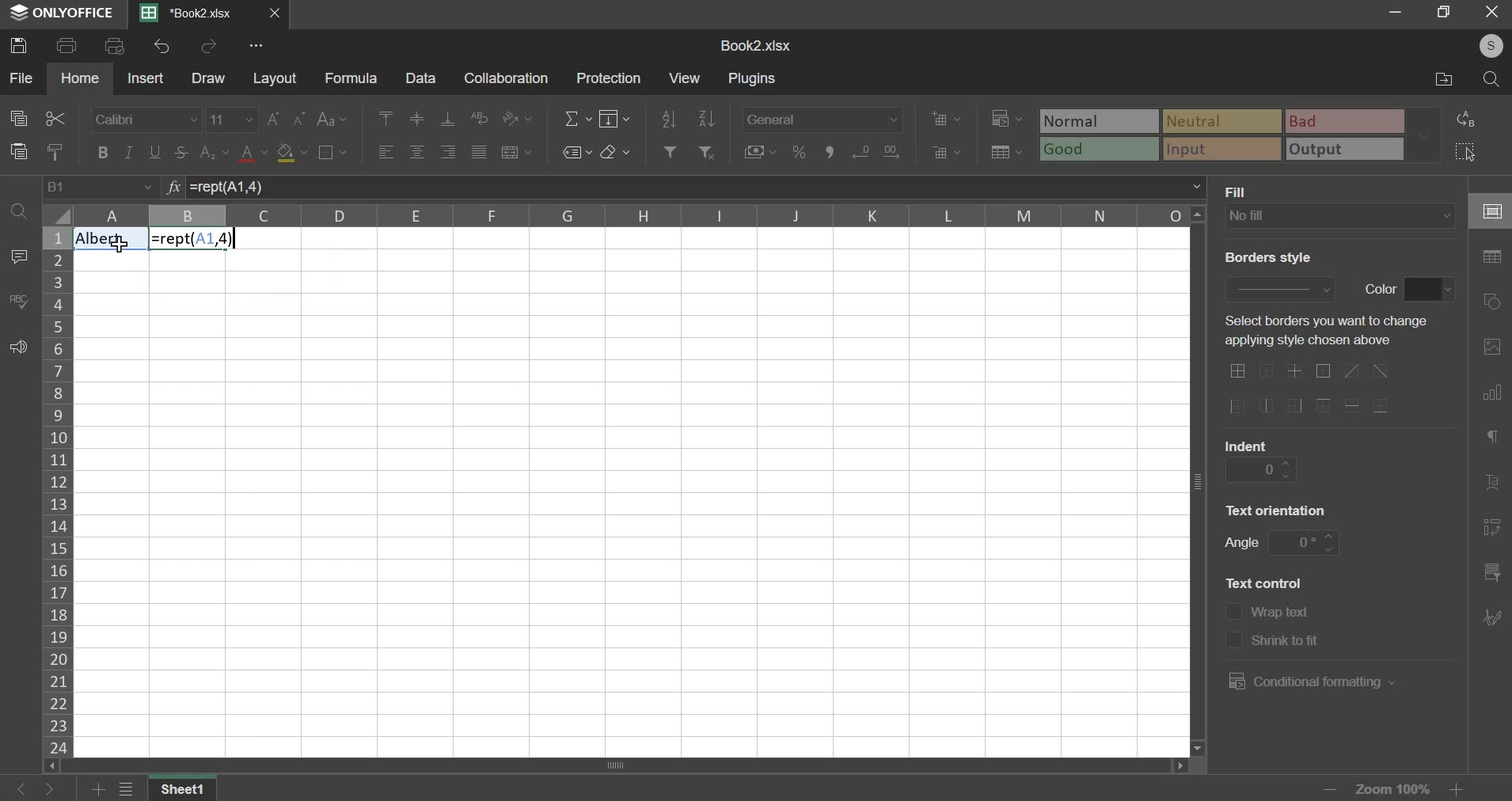  What do you see at coordinates (418, 120) in the screenshot?
I see `vertical alignment` at bounding box center [418, 120].